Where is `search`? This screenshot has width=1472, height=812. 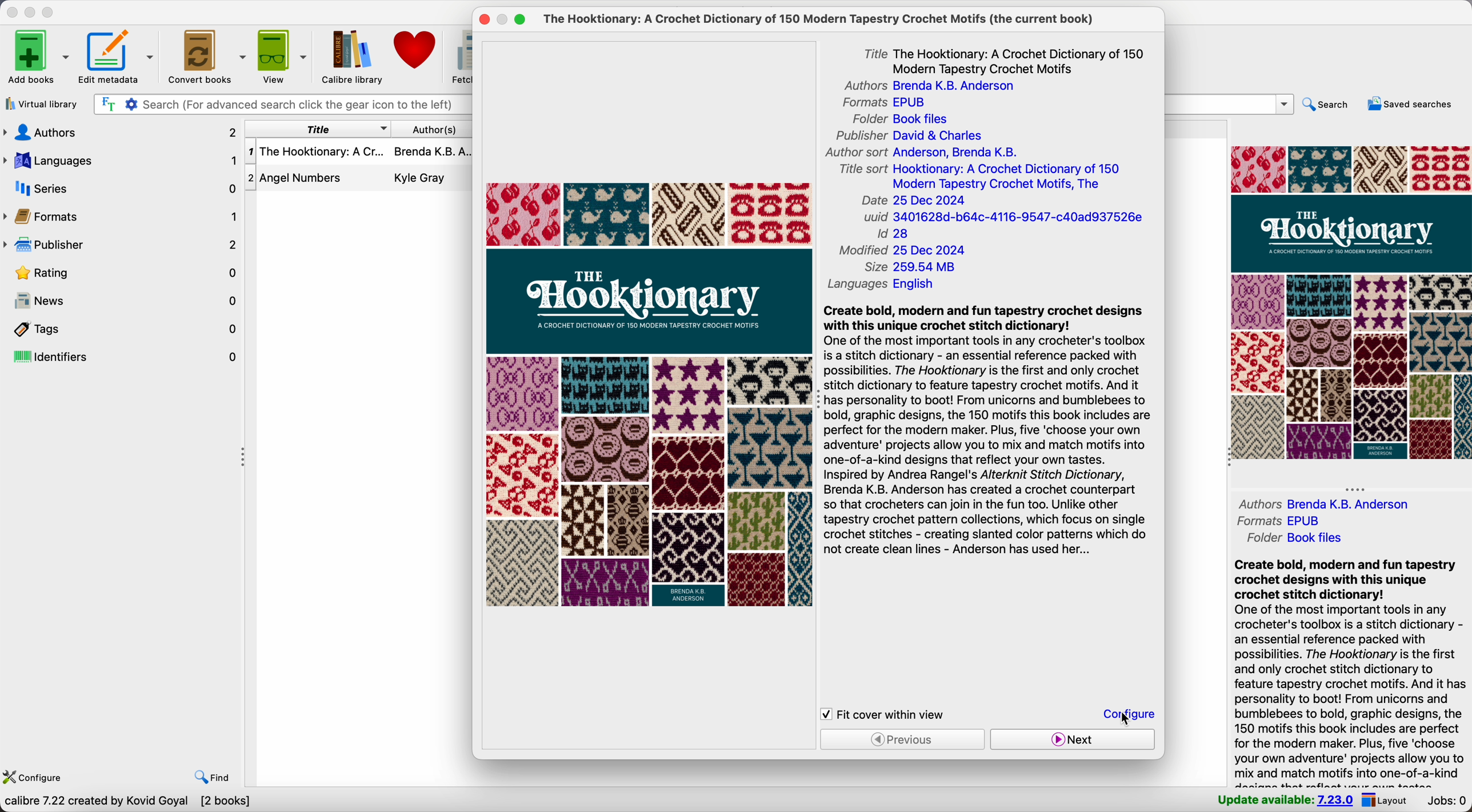 search is located at coordinates (1327, 107).